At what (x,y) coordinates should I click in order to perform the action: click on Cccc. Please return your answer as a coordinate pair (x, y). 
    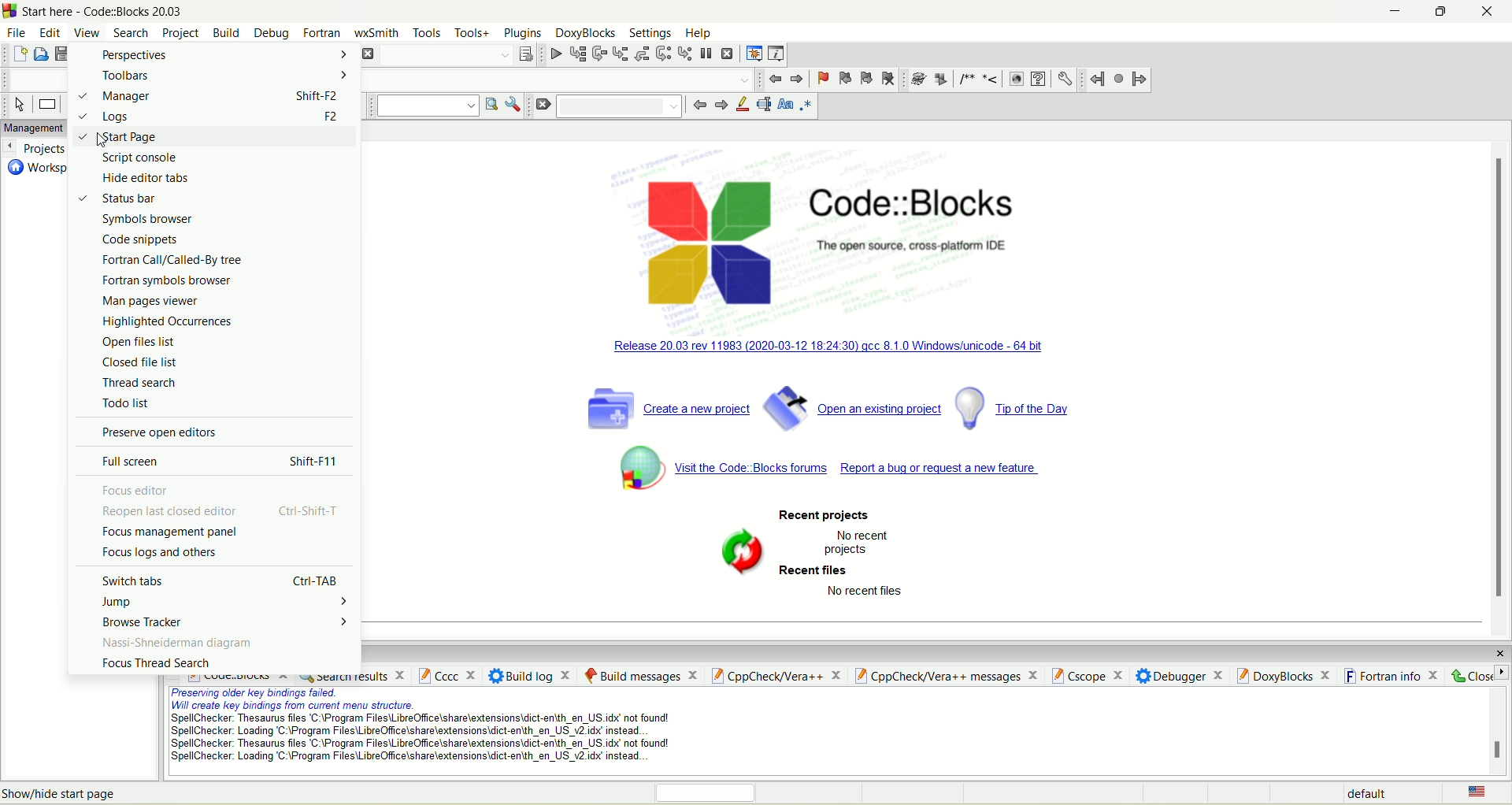
    Looking at the image, I should click on (447, 676).